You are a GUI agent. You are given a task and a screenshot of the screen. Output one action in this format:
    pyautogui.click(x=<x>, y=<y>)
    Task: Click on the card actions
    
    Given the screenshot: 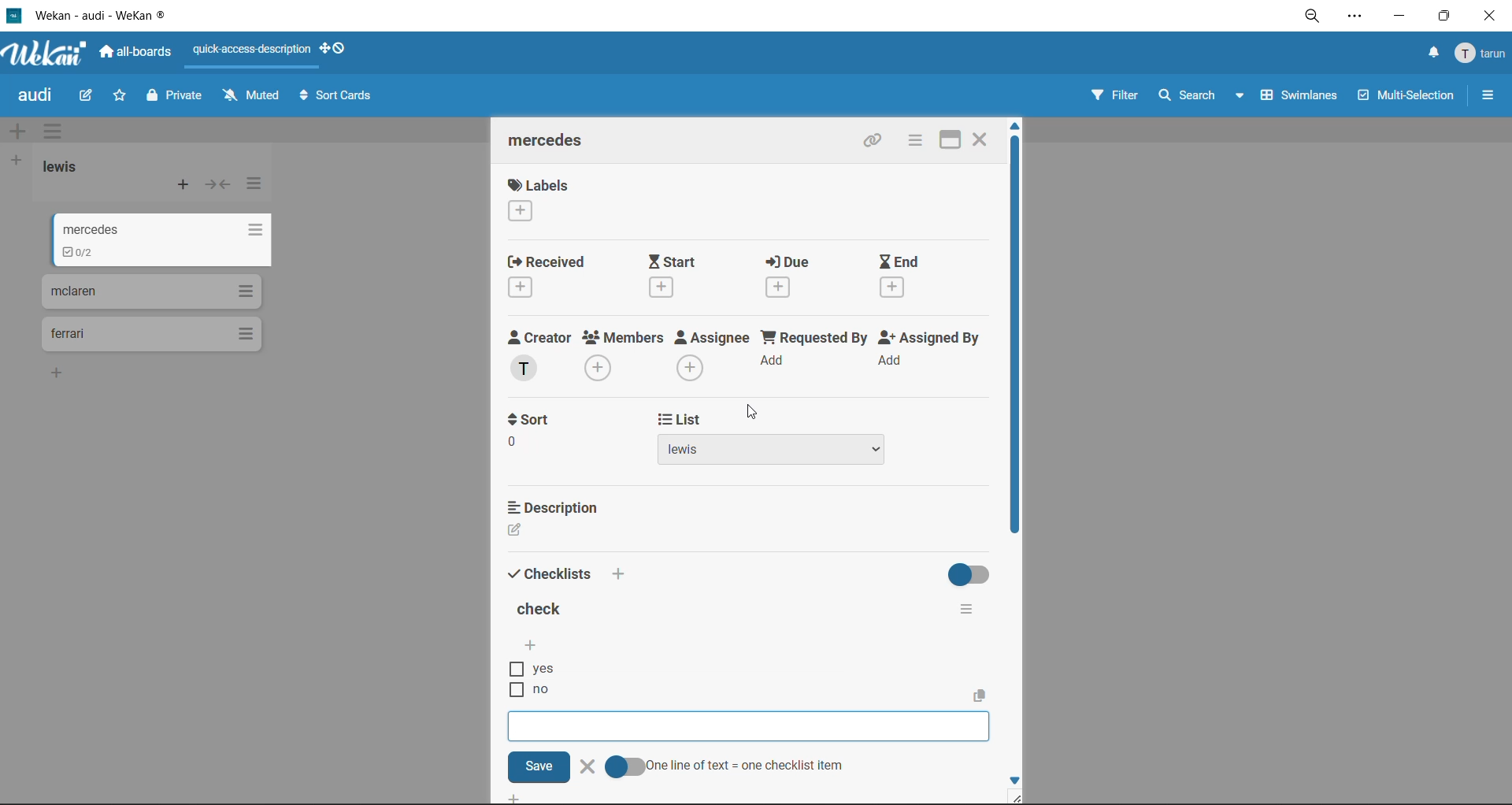 What is the action you would take?
    pyautogui.click(x=912, y=142)
    